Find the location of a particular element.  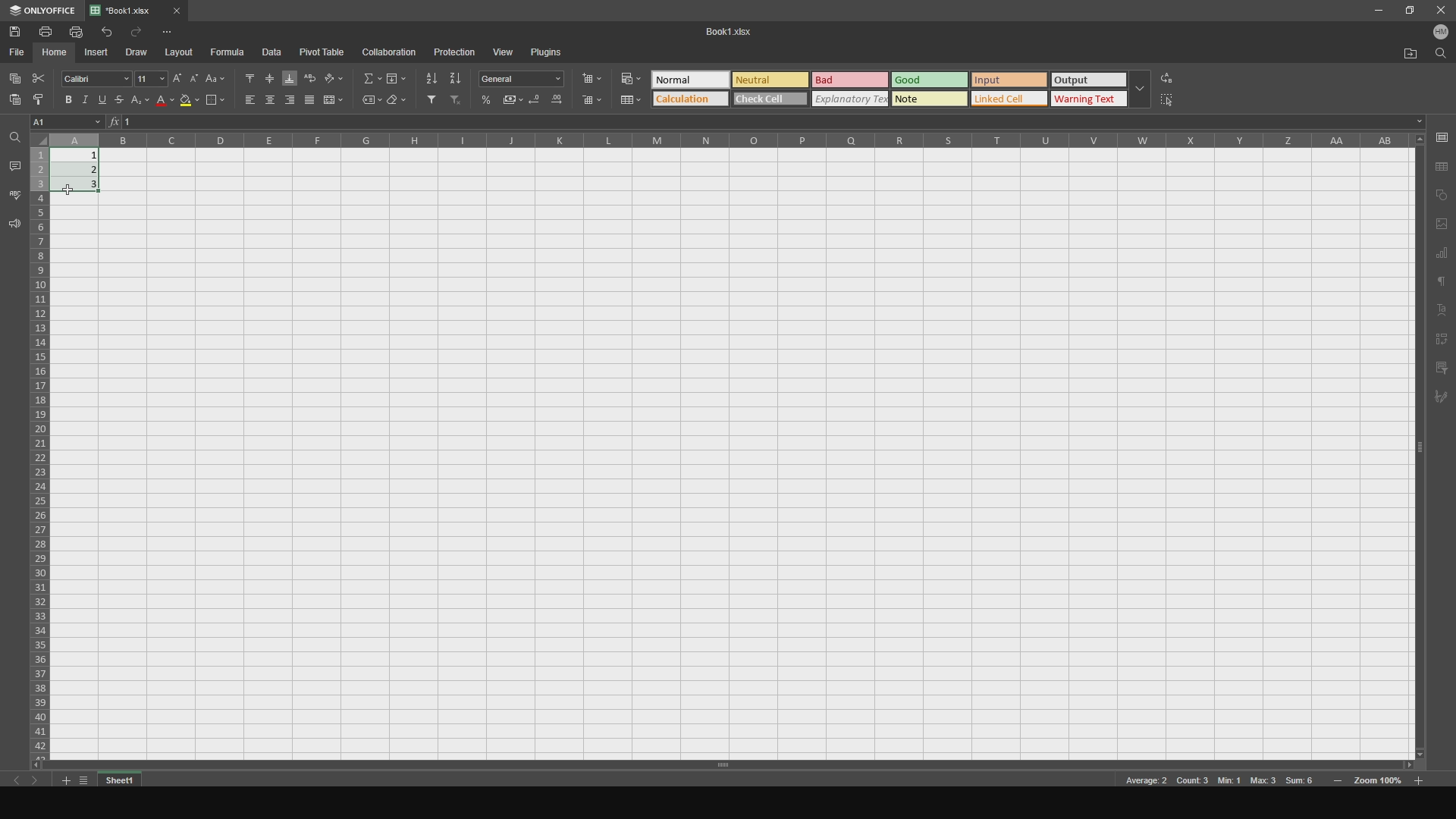

underline is located at coordinates (106, 101).